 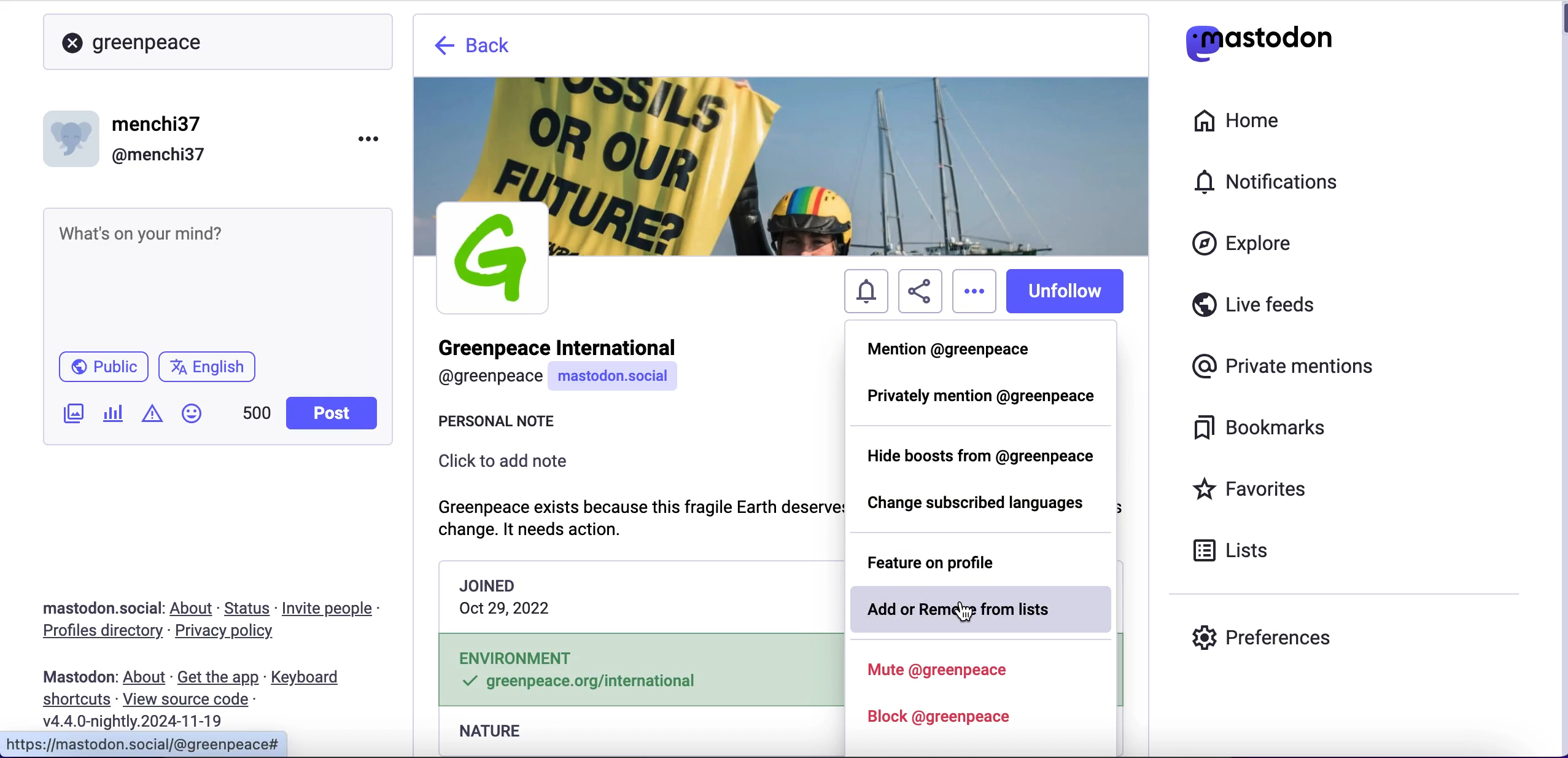 What do you see at coordinates (983, 506) in the screenshot?
I see `change subscribed languages` at bounding box center [983, 506].